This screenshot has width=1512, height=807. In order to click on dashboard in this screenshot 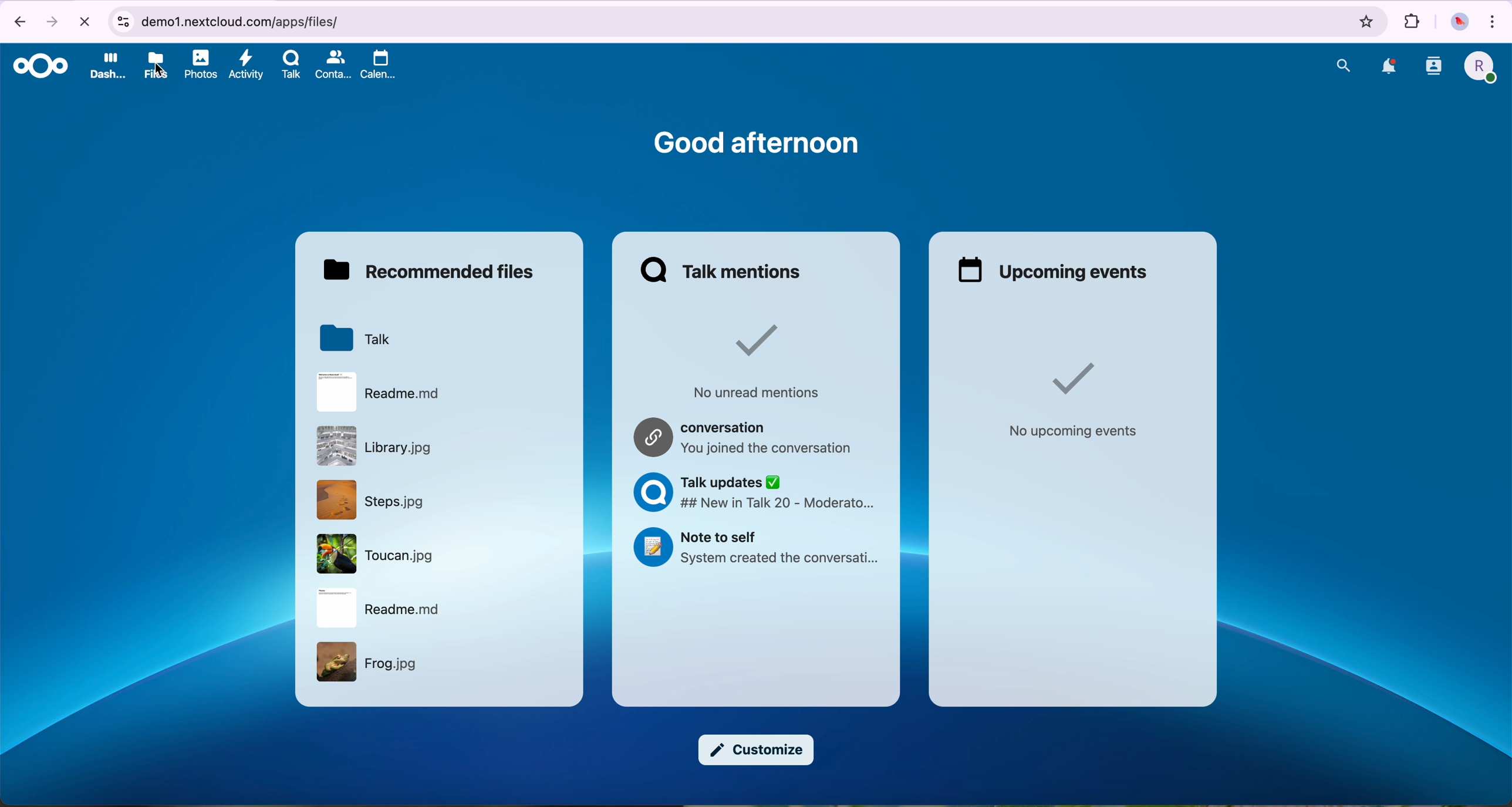, I will do `click(107, 69)`.